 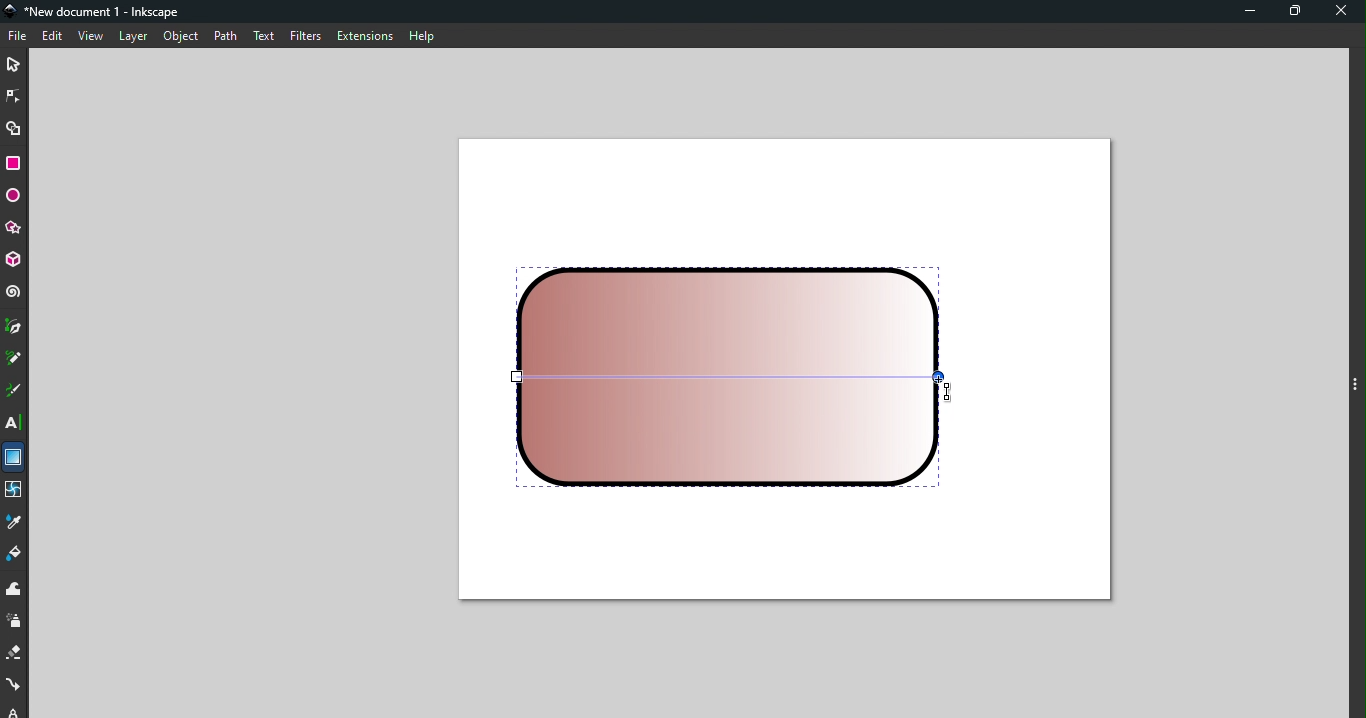 What do you see at coordinates (1299, 12) in the screenshot?
I see `Maximize` at bounding box center [1299, 12].